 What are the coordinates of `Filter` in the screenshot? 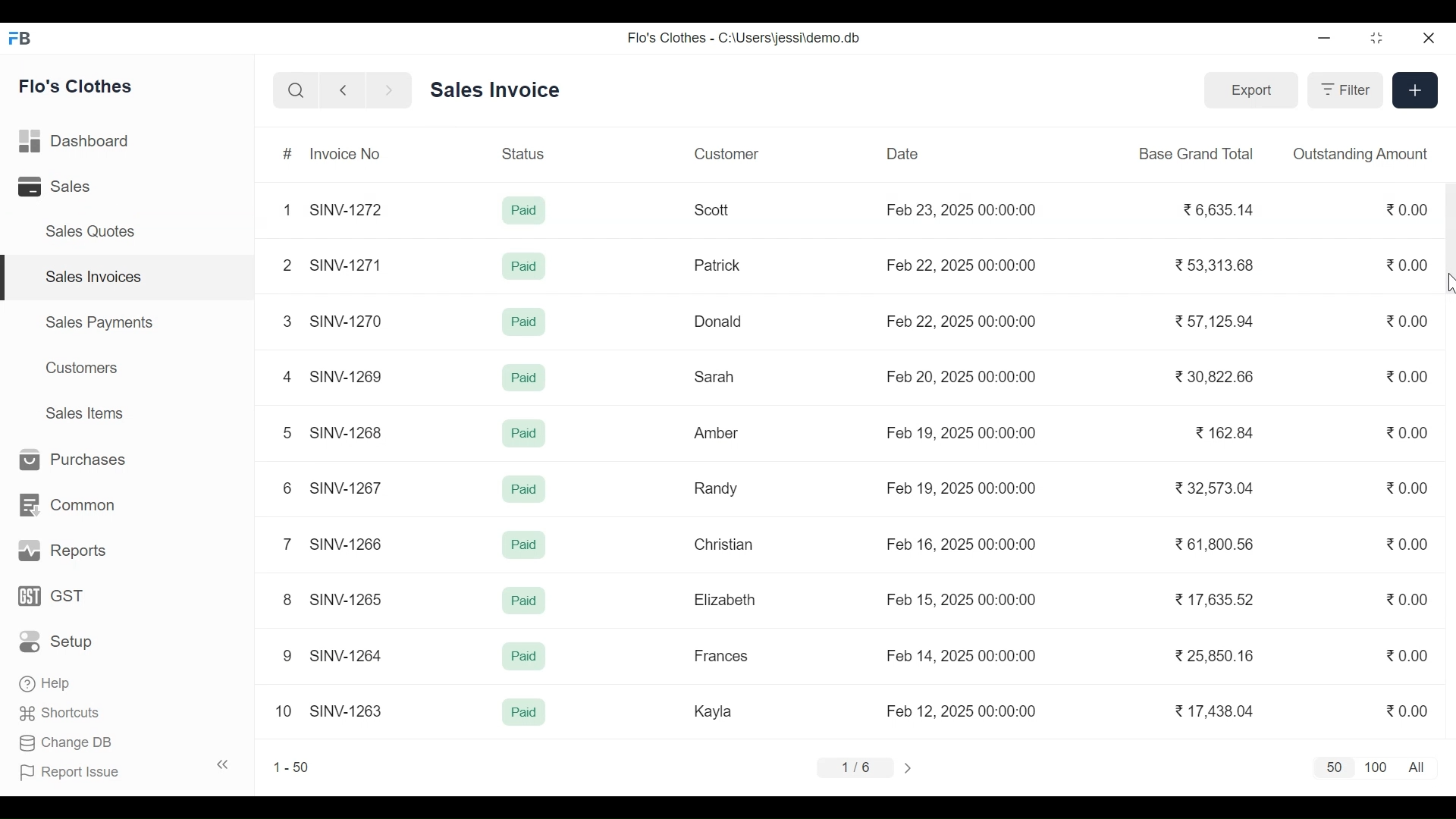 It's located at (1343, 89).